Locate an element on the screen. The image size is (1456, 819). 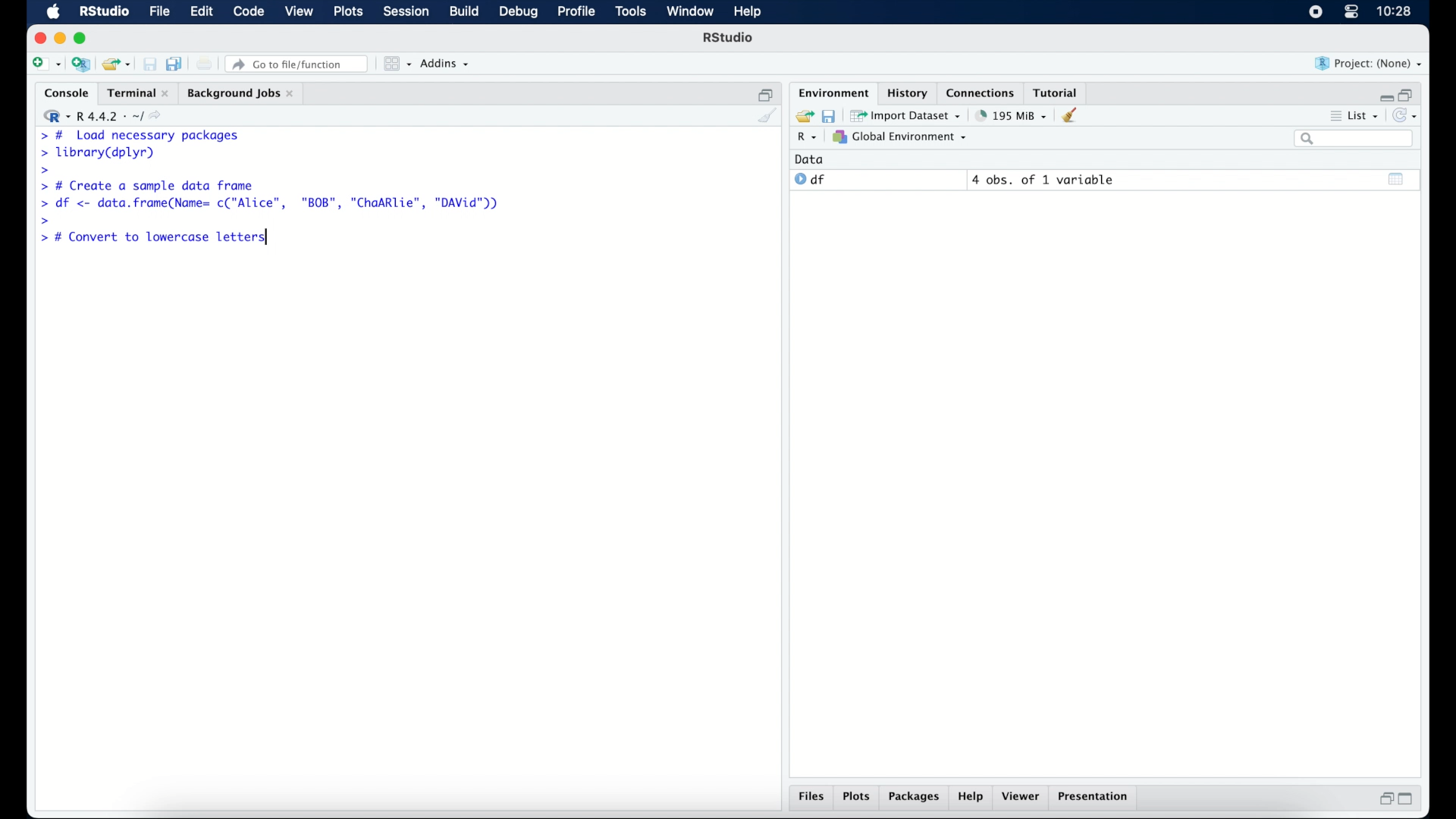
import dataset is located at coordinates (907, 115).